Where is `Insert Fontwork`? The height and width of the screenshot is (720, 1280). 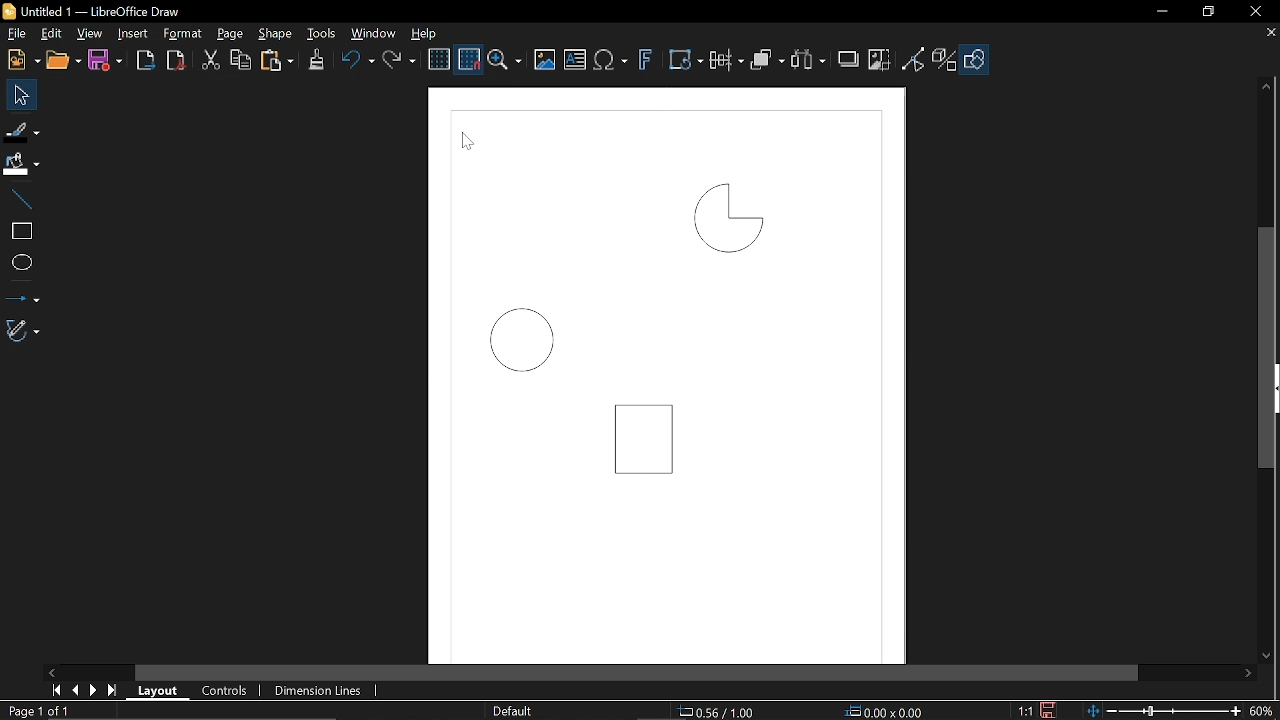 Insert Fontwork is located at coordinates (646, 62).